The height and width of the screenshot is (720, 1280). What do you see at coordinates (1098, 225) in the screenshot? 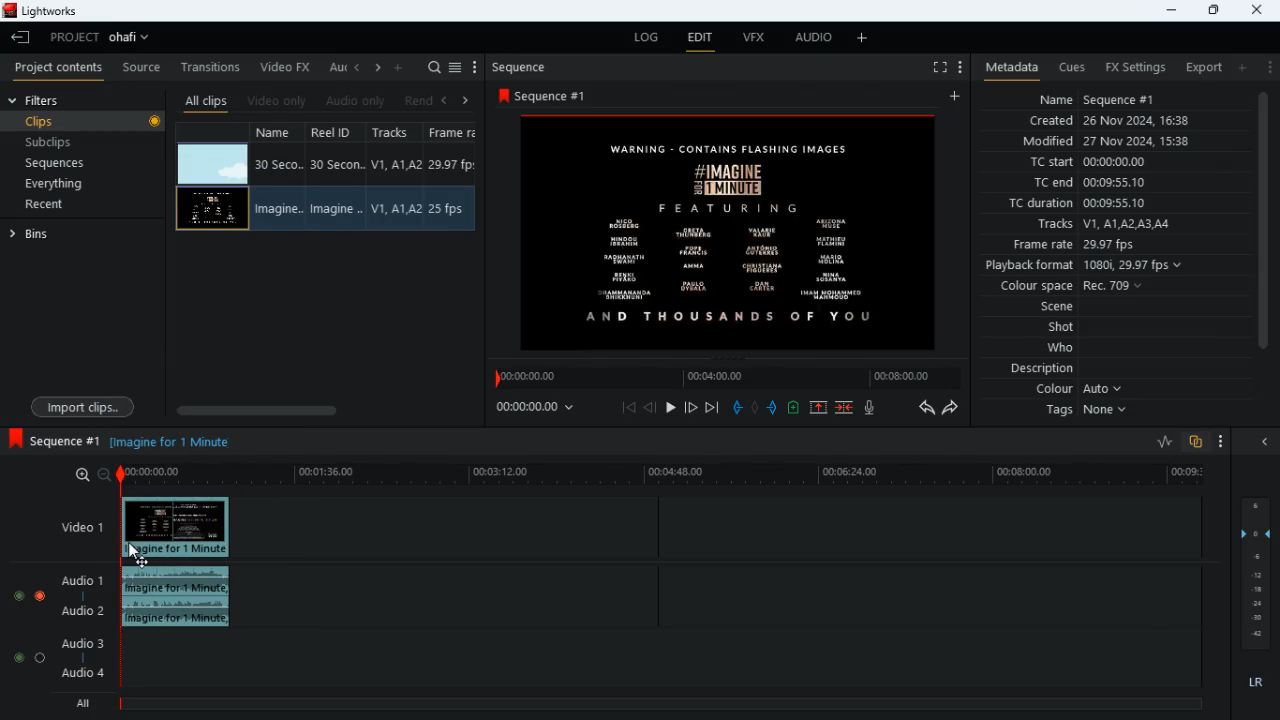
I see `tracks` at bounding box center [1098, 225].